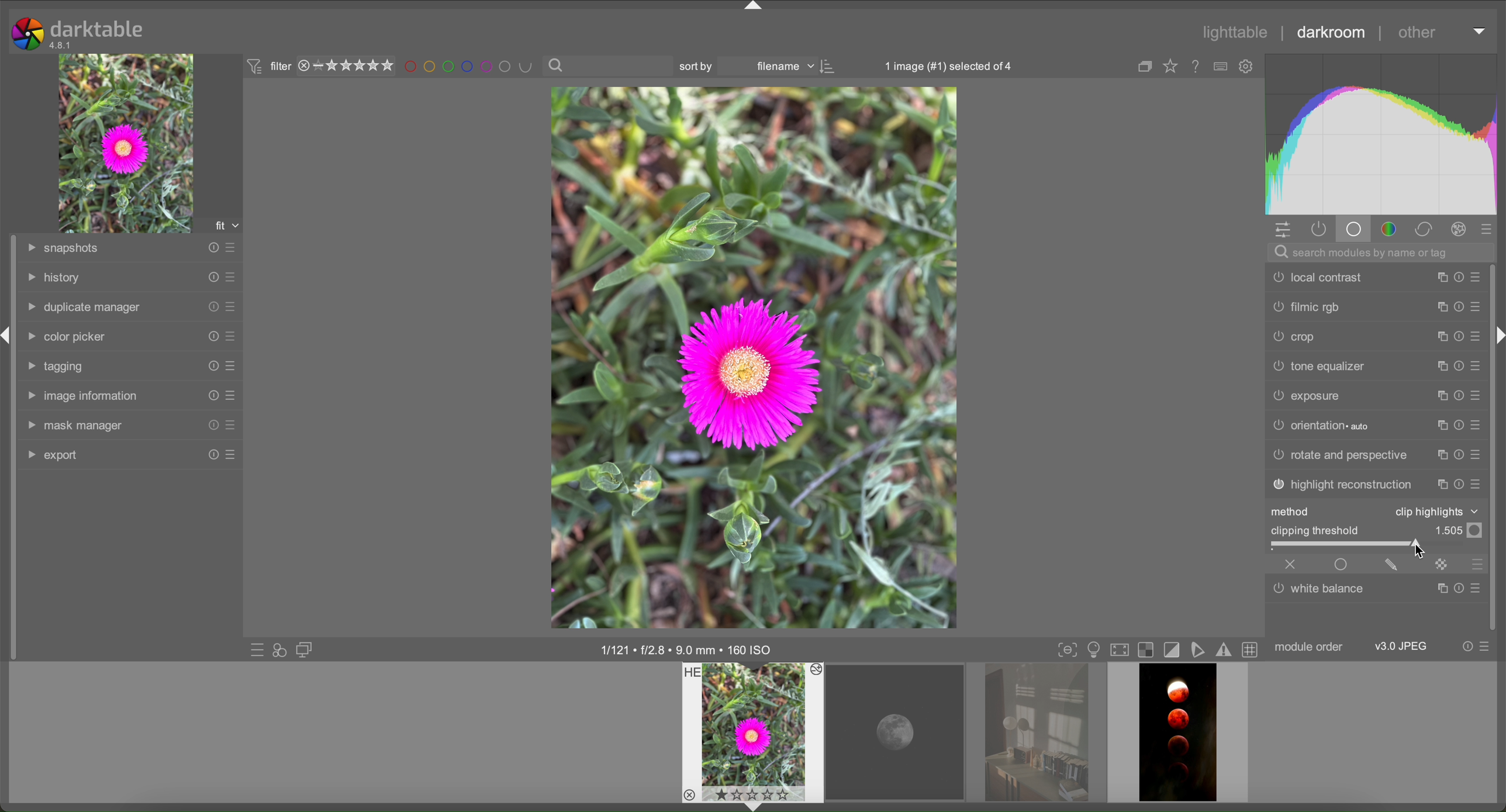  I want to click on presets, so click(1478, 485).